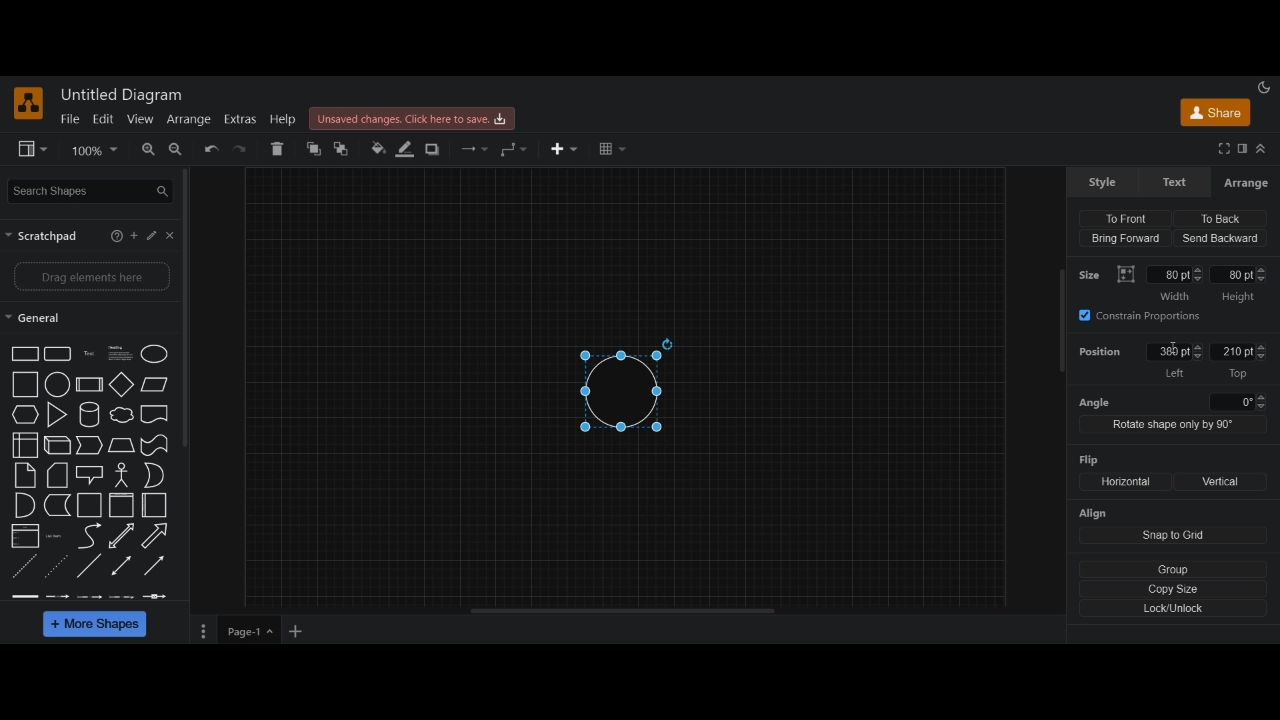 The image size is (1280, 720). I want to click on Page, so click(25, 476).